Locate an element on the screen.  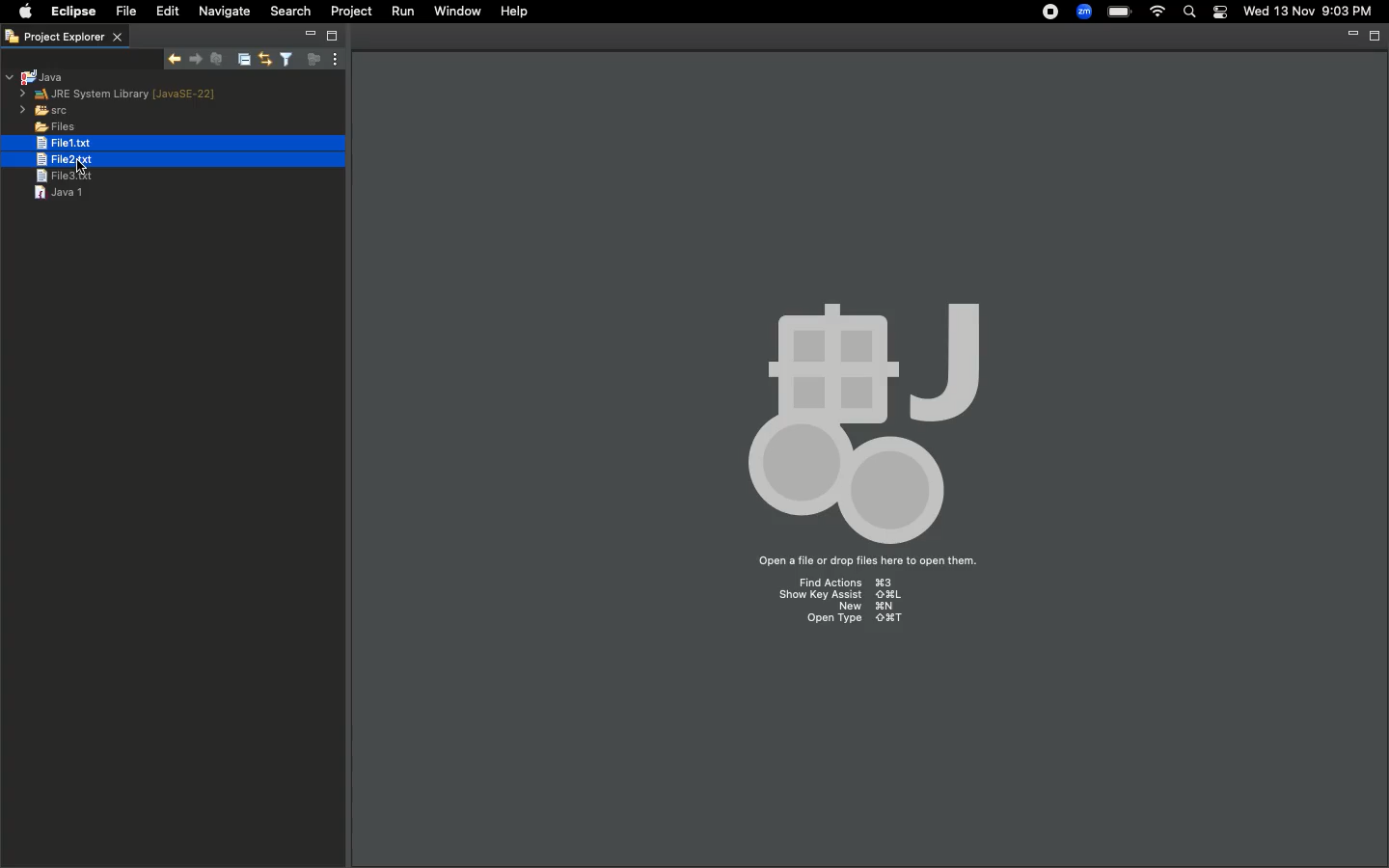
Open a file or drop files here is located at coordinates (865, 562).